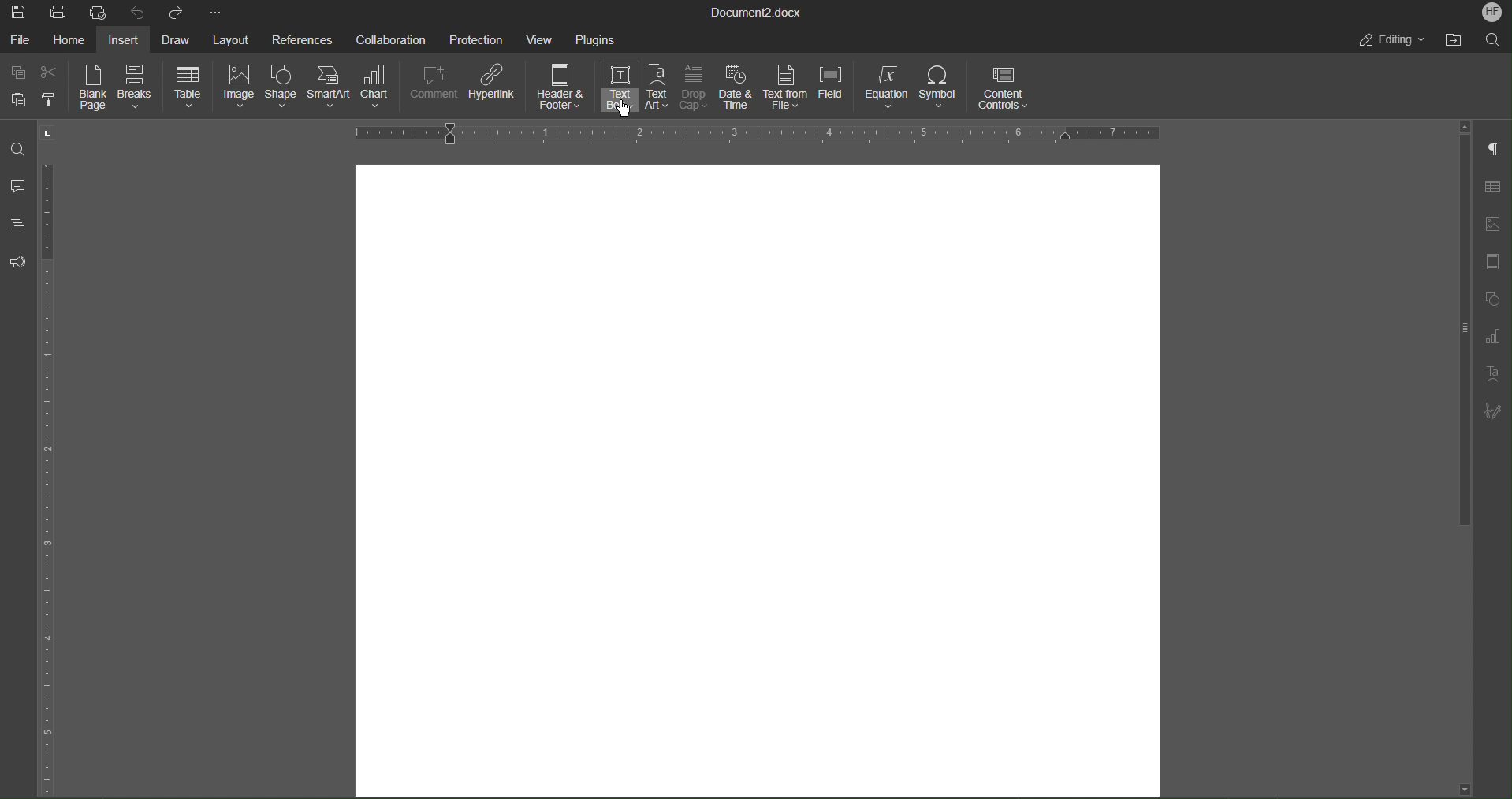  What do you see at coordinates (1456, 39) in the screenshot?
I see `Open File Location` at bounding box center [1456, 39].